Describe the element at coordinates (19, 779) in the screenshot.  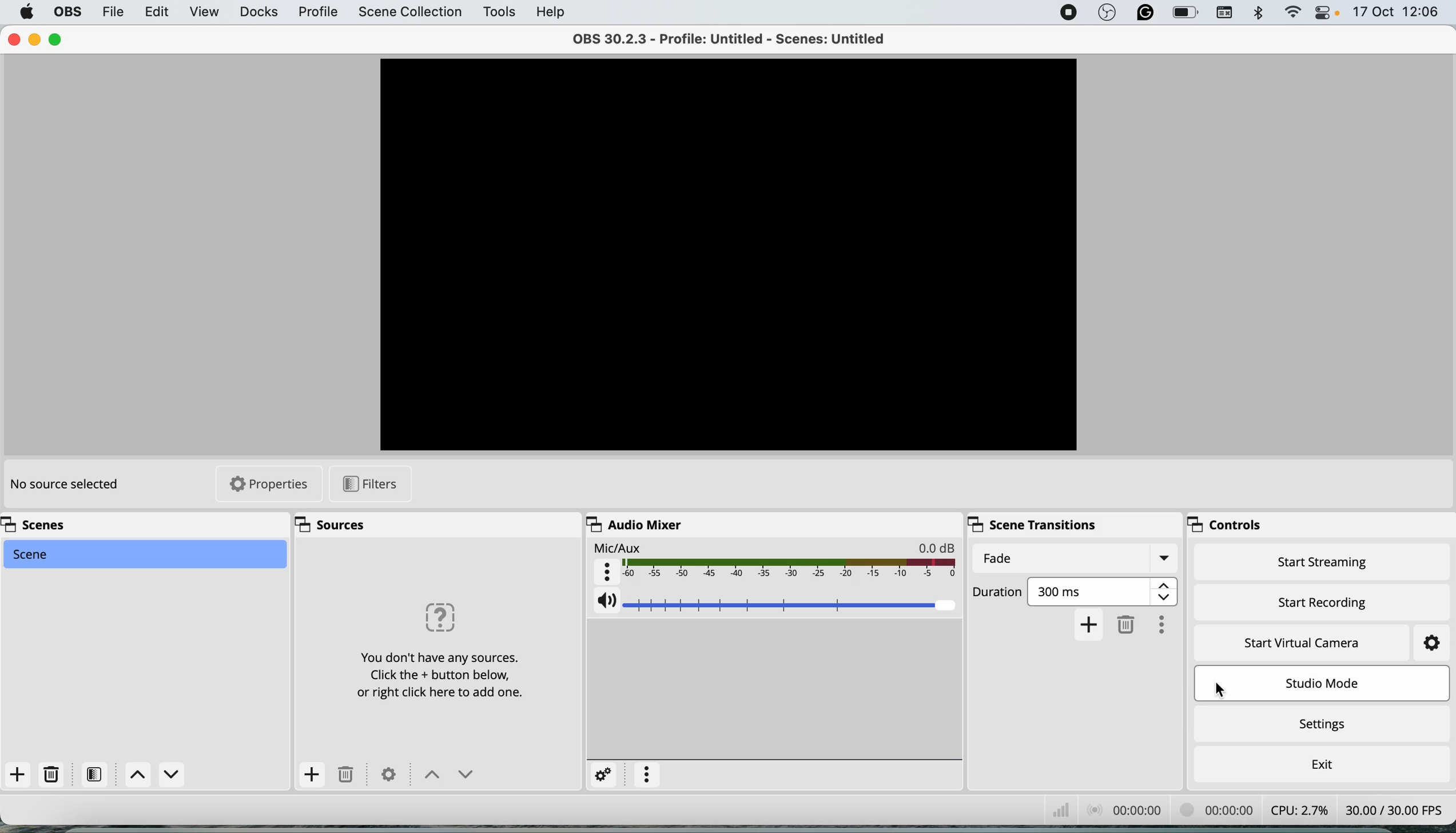
I see `add scene` at that location.